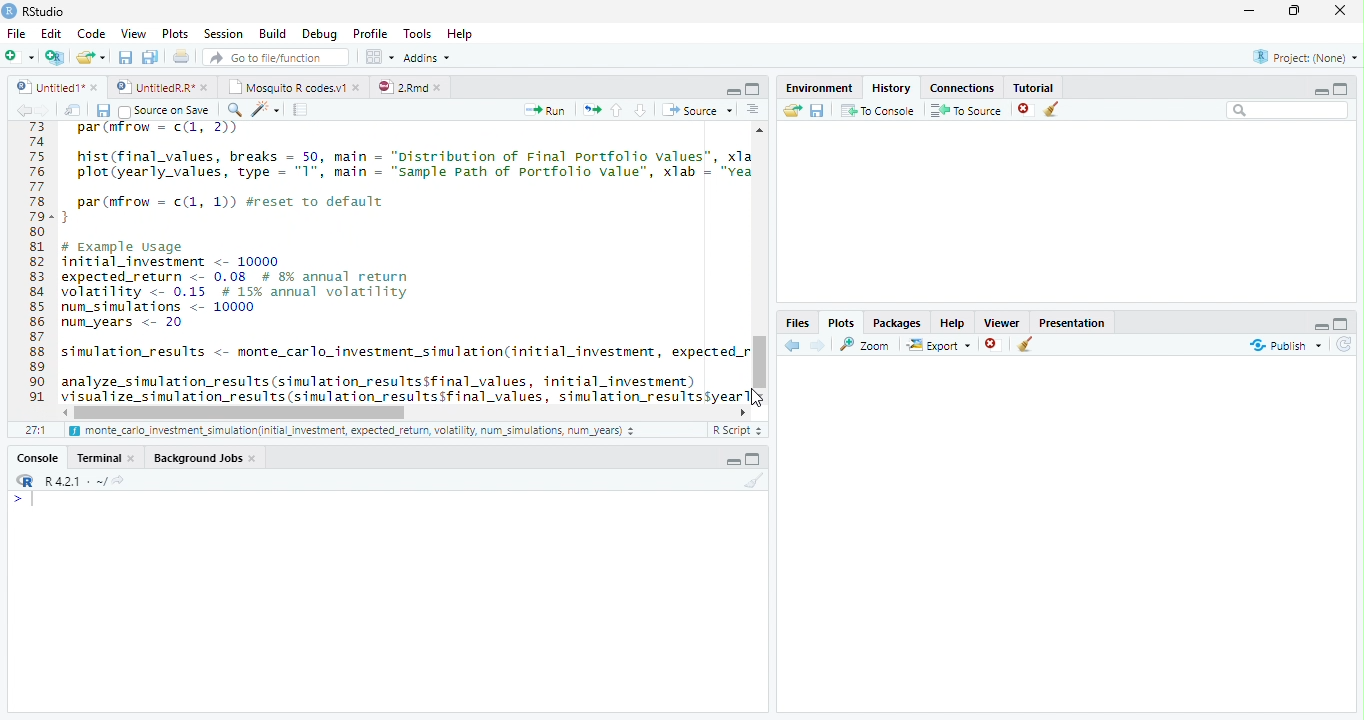 This screenshot has width=1364, height=720. What do you see at coordinates (896, 321) in the screenshot?
I see `Packages` at bounding box center [896, 321].